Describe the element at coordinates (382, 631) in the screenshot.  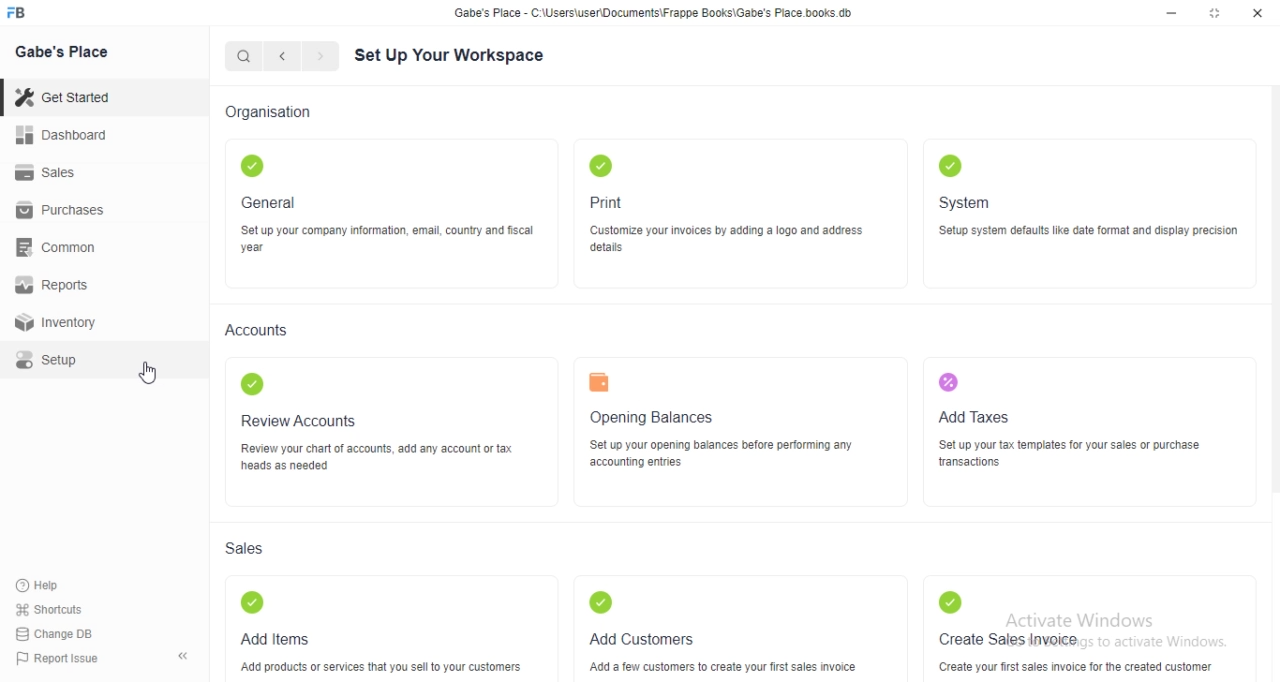
I see `Add items. Add products or services that you sell 10 your customers.` at that location.